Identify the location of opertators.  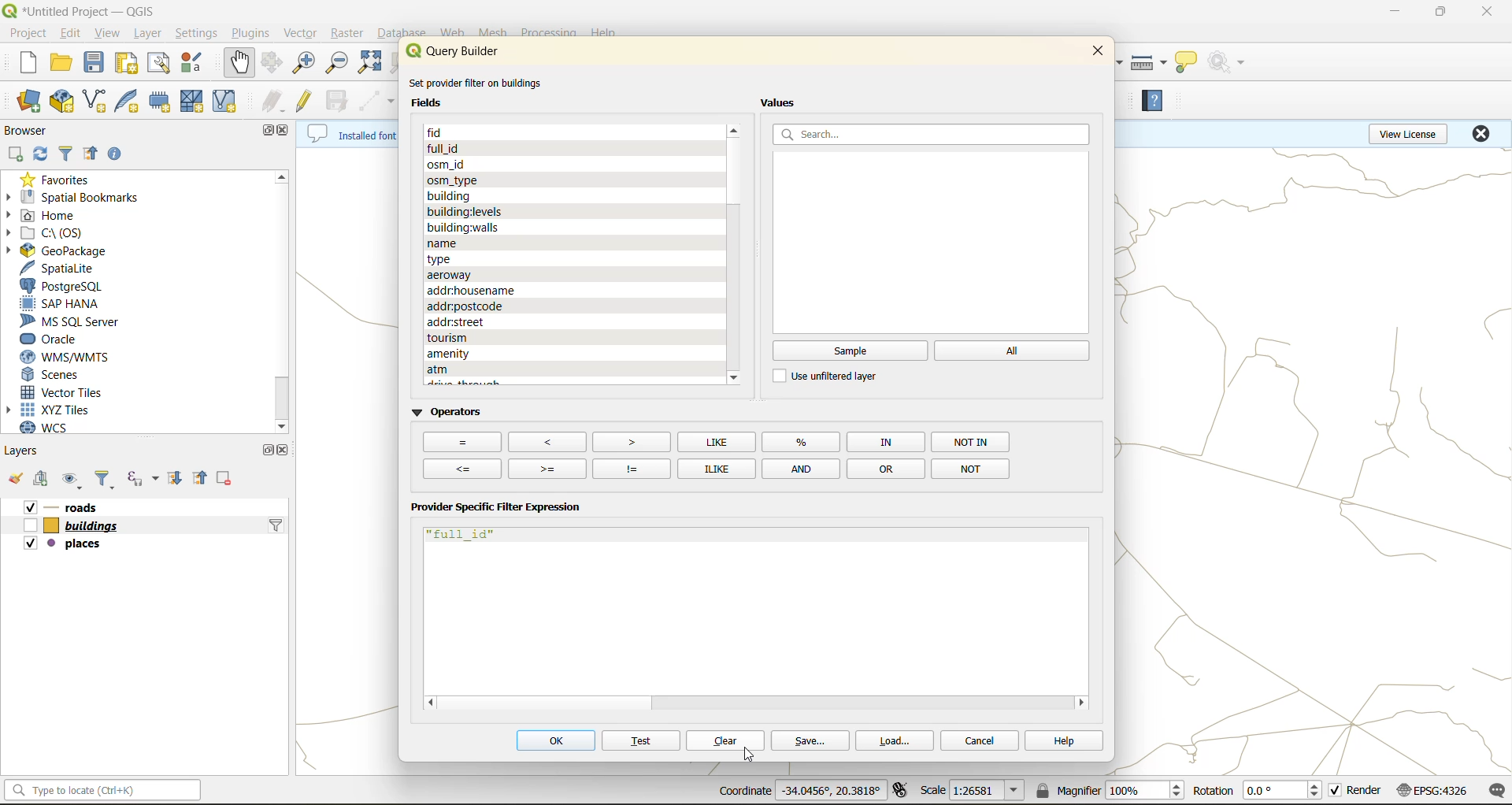
(885, 468).